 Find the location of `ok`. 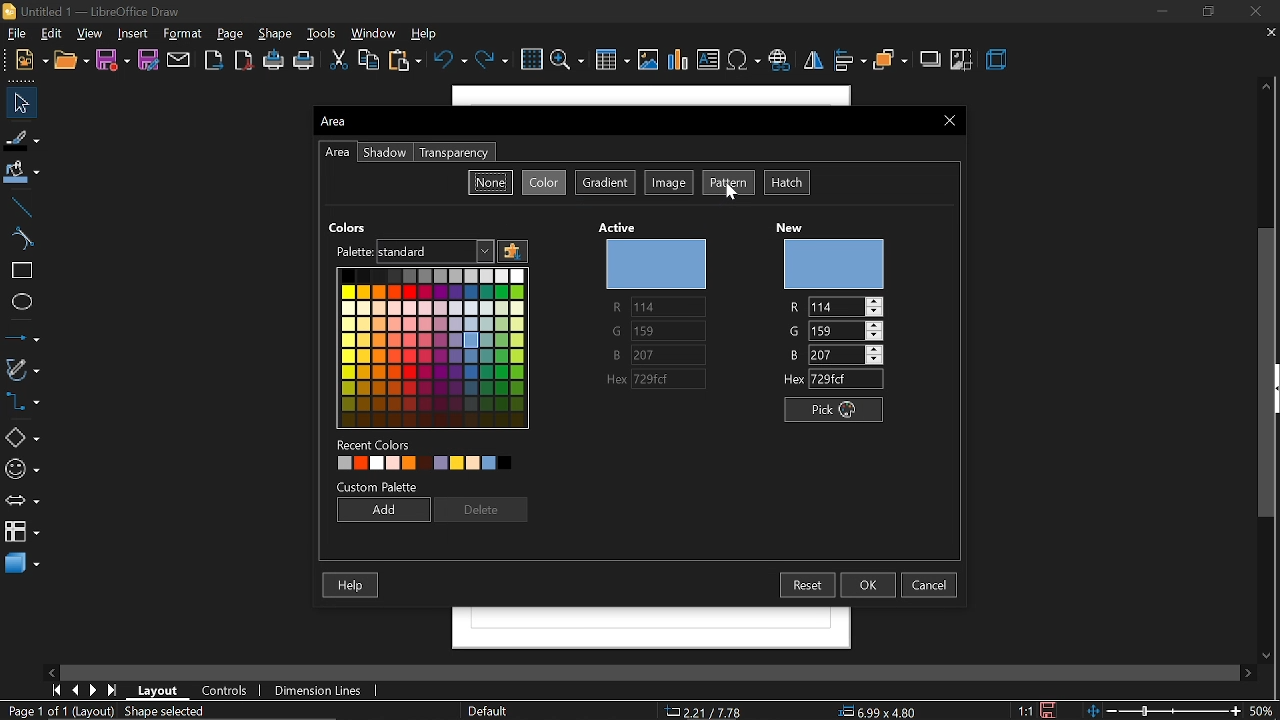

ok is located at coordinates (870, 585).